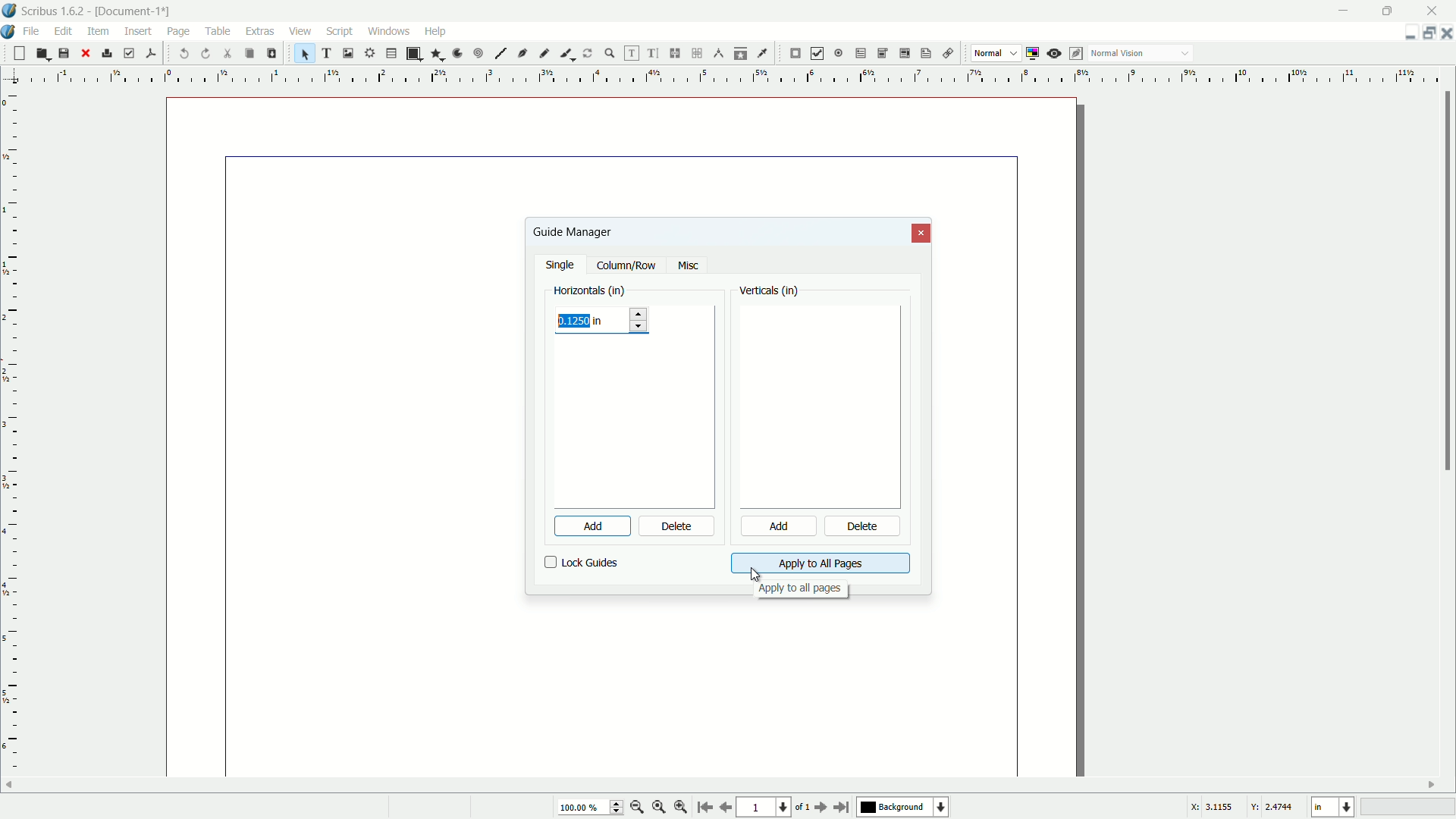 This screenshot has width=1456, height=819. Describe the element at coordinates (572, 231) in the screenshot. I see `guide manager` at that location.